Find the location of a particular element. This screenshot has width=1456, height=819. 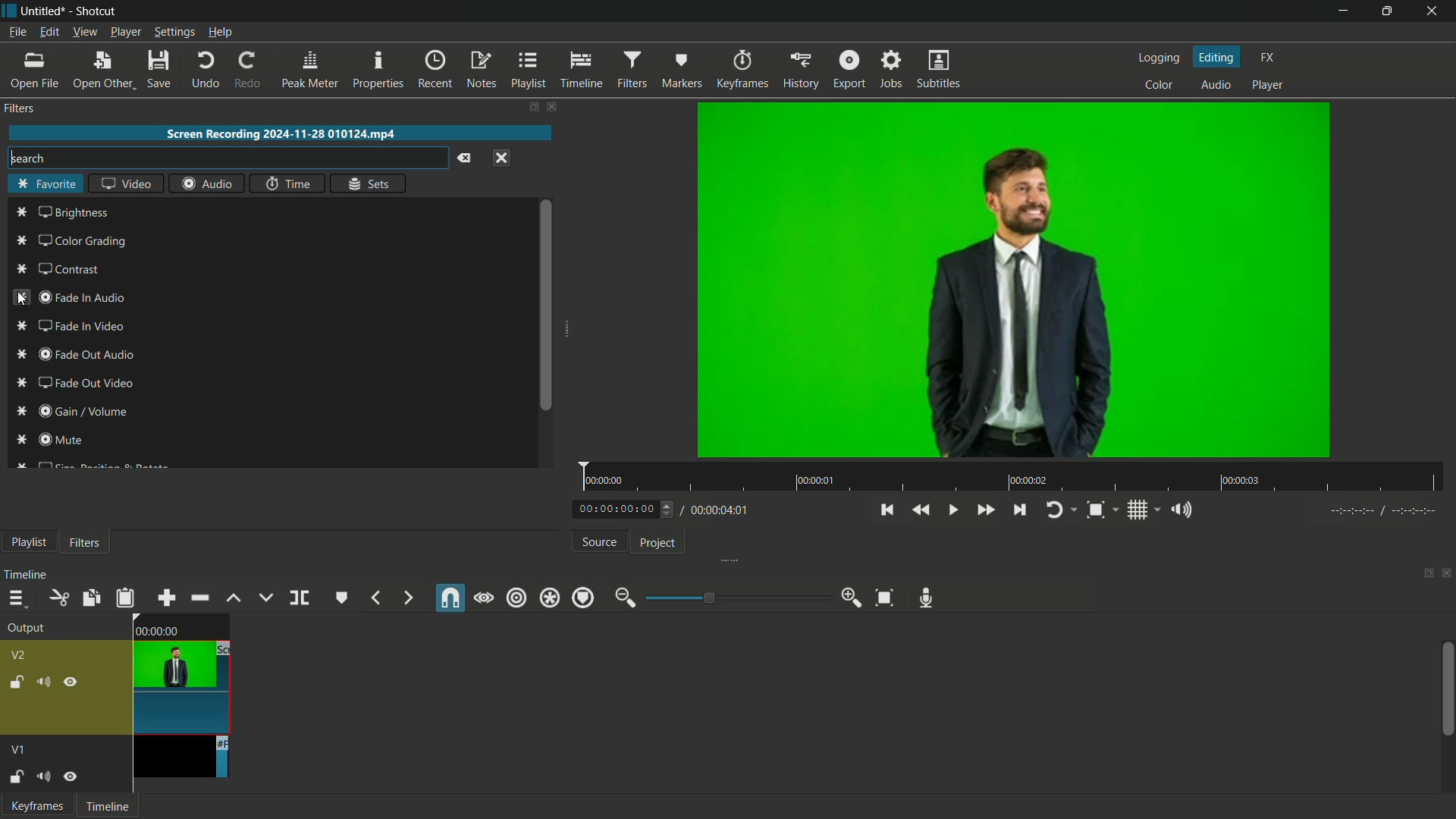

clear search is located at coordinates (463, 158).